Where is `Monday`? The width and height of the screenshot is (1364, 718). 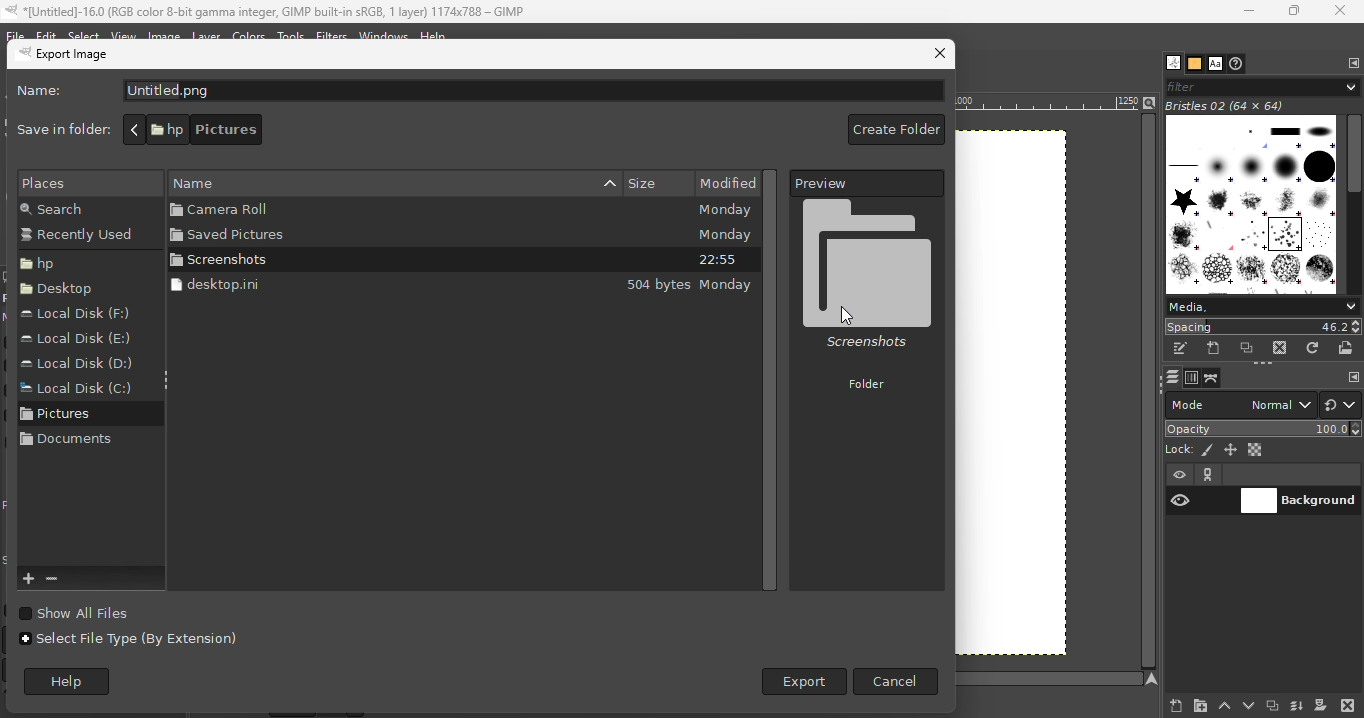
Monday is located at coordinates (724, 235).